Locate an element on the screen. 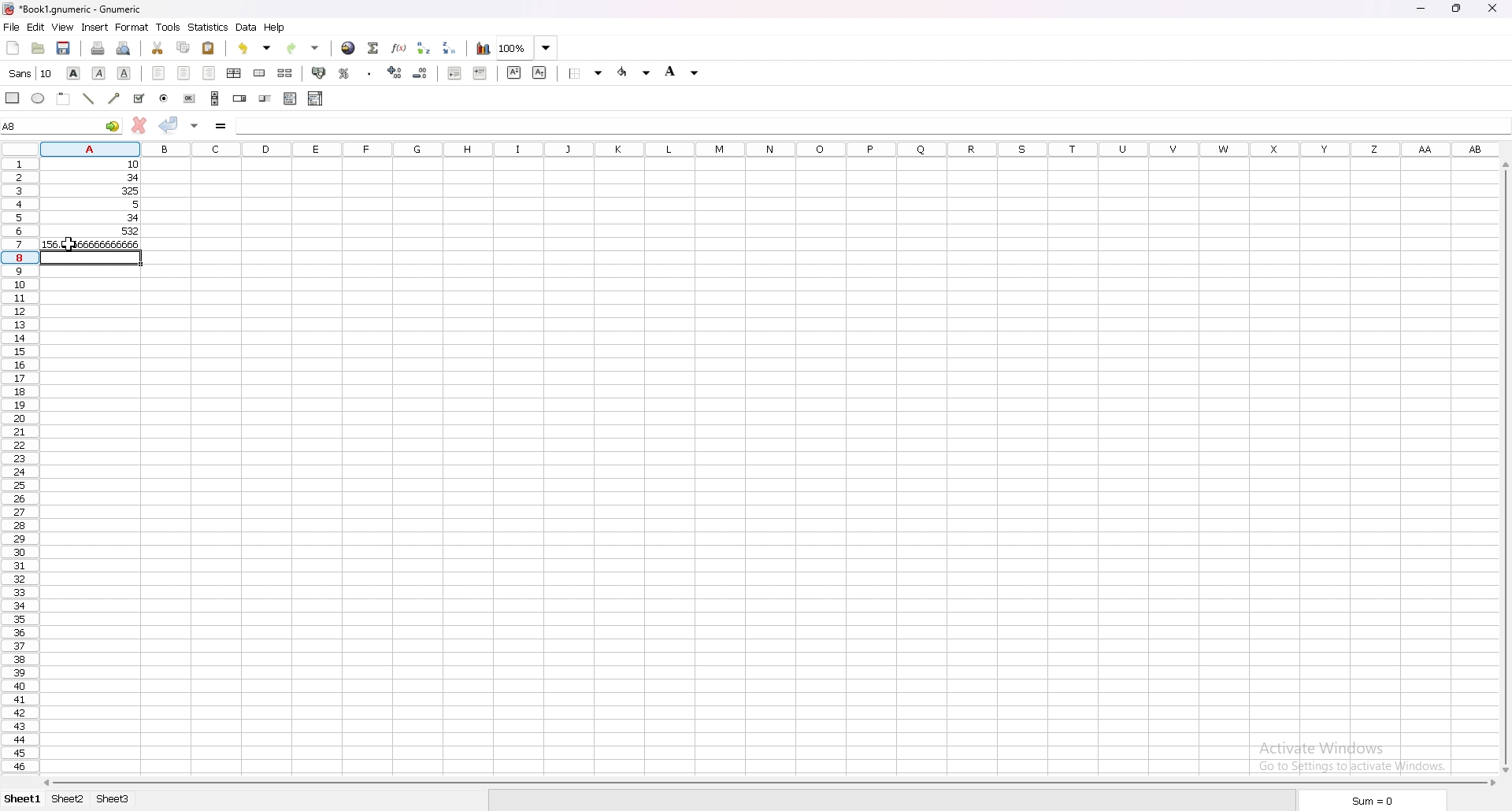 Image resolution: width=1512 pixels, height=811 pixels. merge cells is located at coordinates (260, 74).